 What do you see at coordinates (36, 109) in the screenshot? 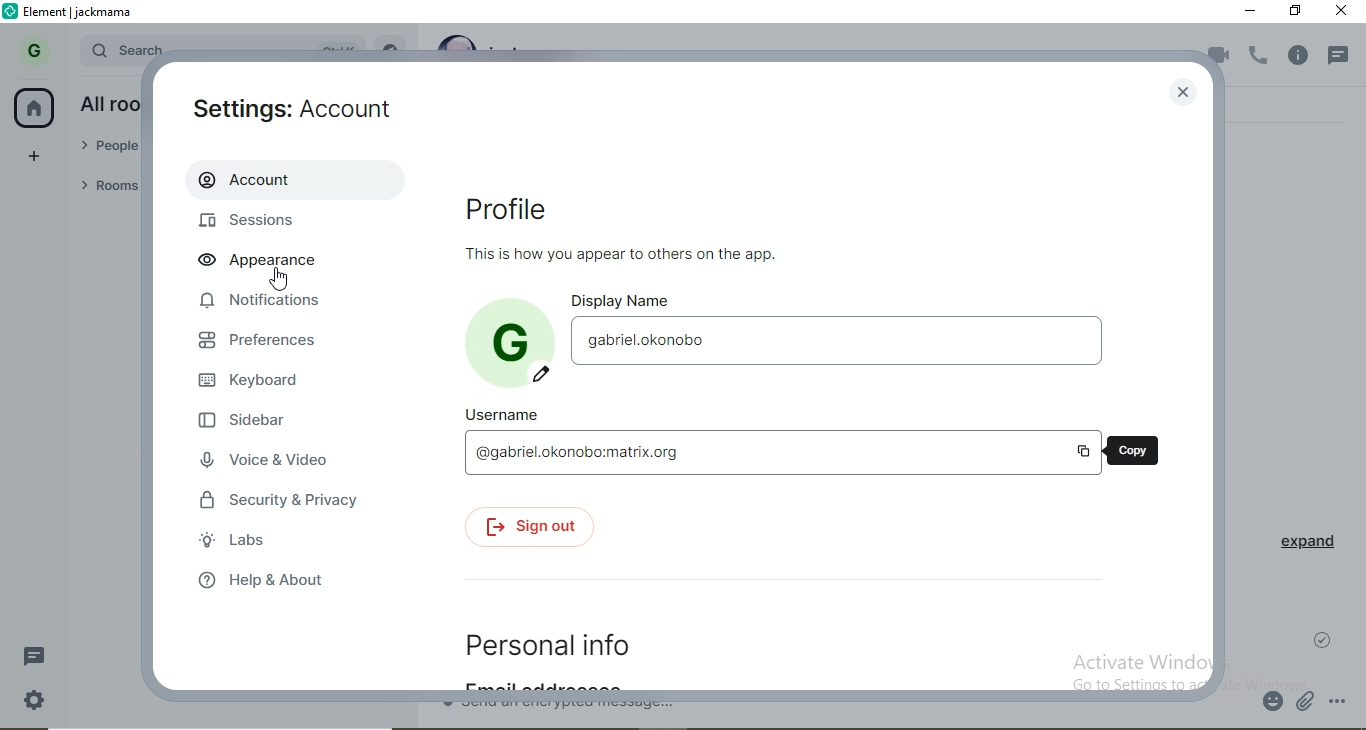
I see `home` at bounding box center [36, 109].